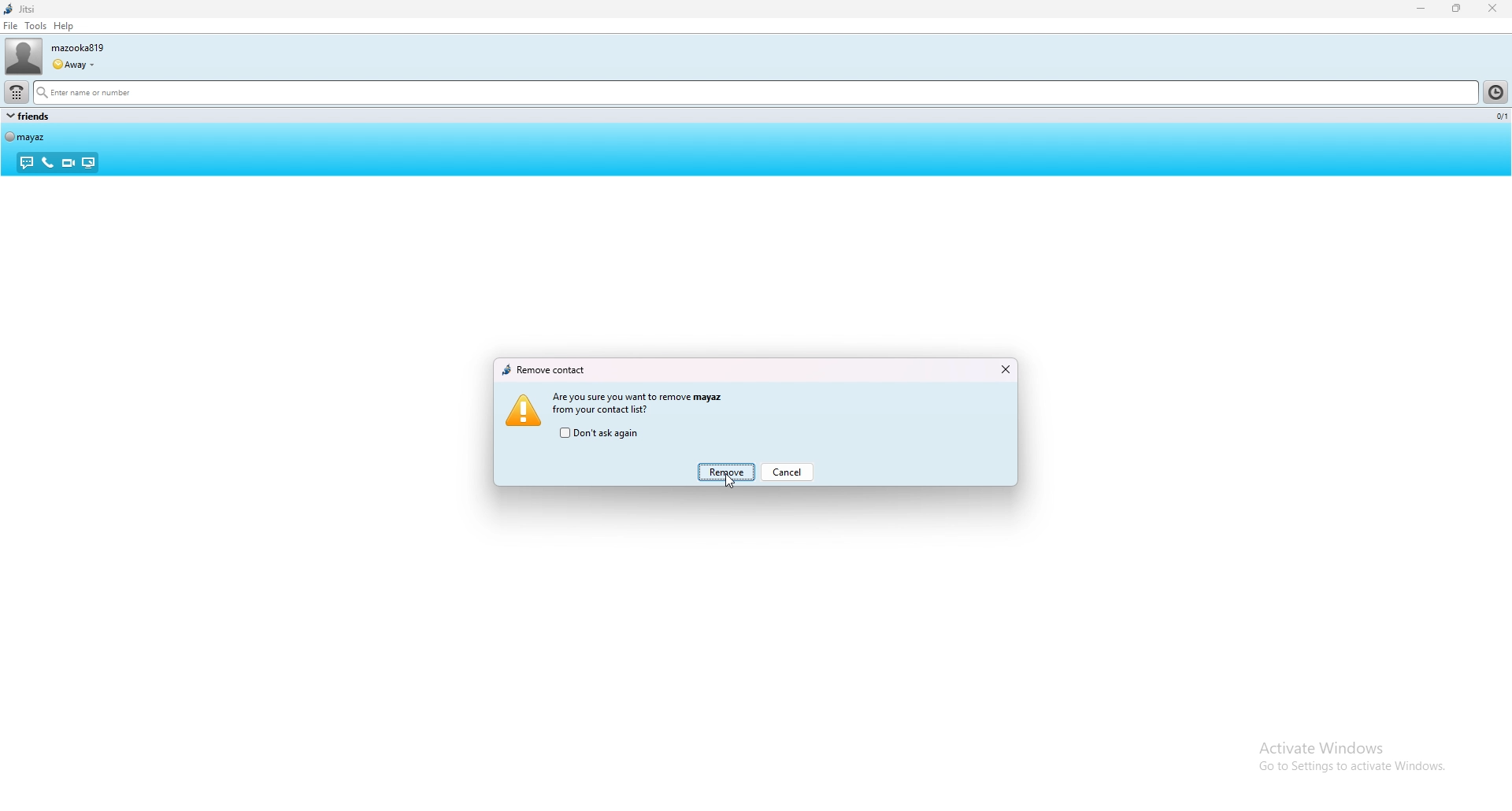 Image resolution: width=1512 pixels, height=811 pixels. What do you see at coordinates (77, 48) in the screenshot?
I see `username` at bounding box center [77, 48].